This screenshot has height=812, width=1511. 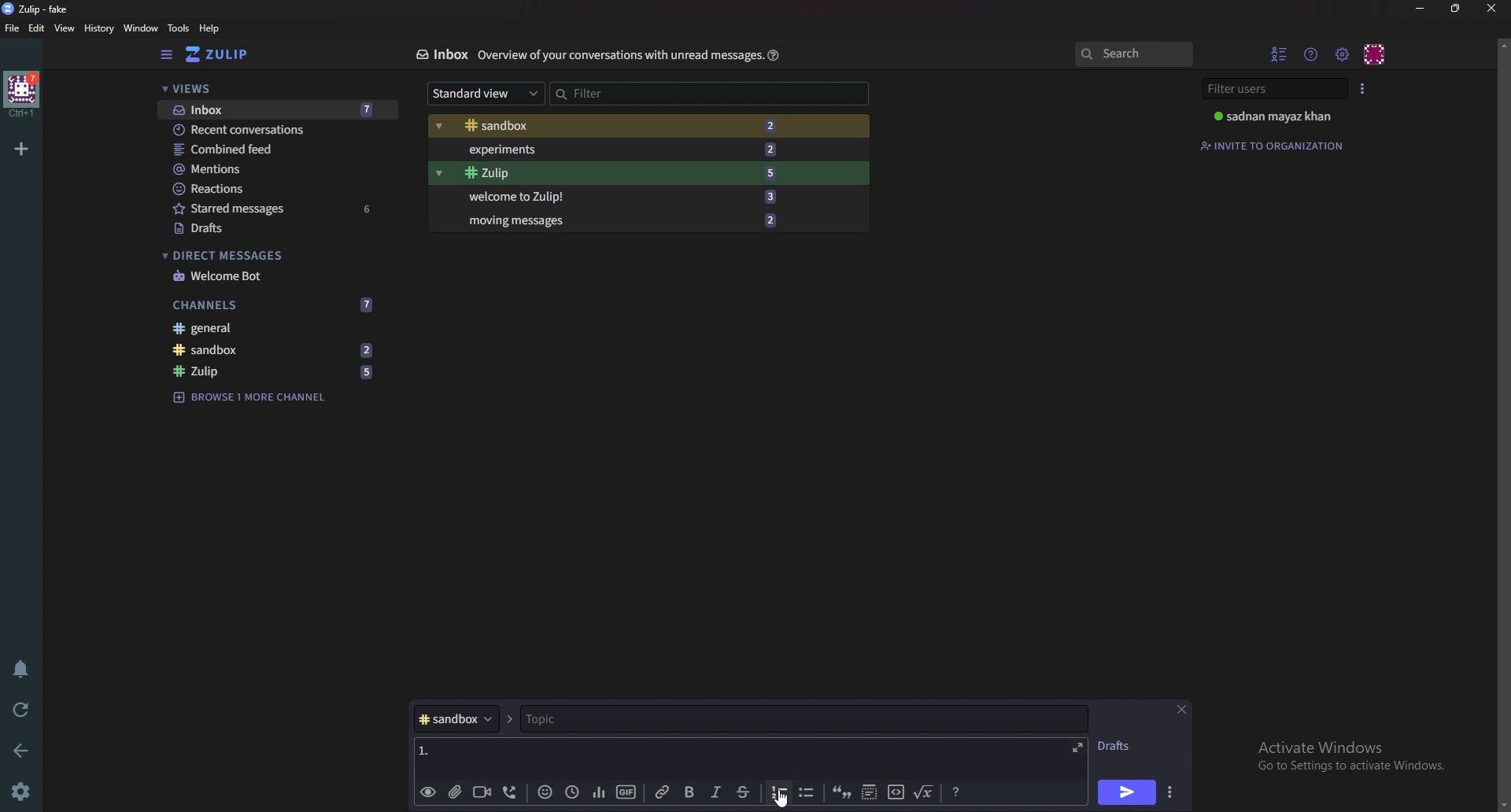 I want to click on Preview, so click(x=428, y=792).